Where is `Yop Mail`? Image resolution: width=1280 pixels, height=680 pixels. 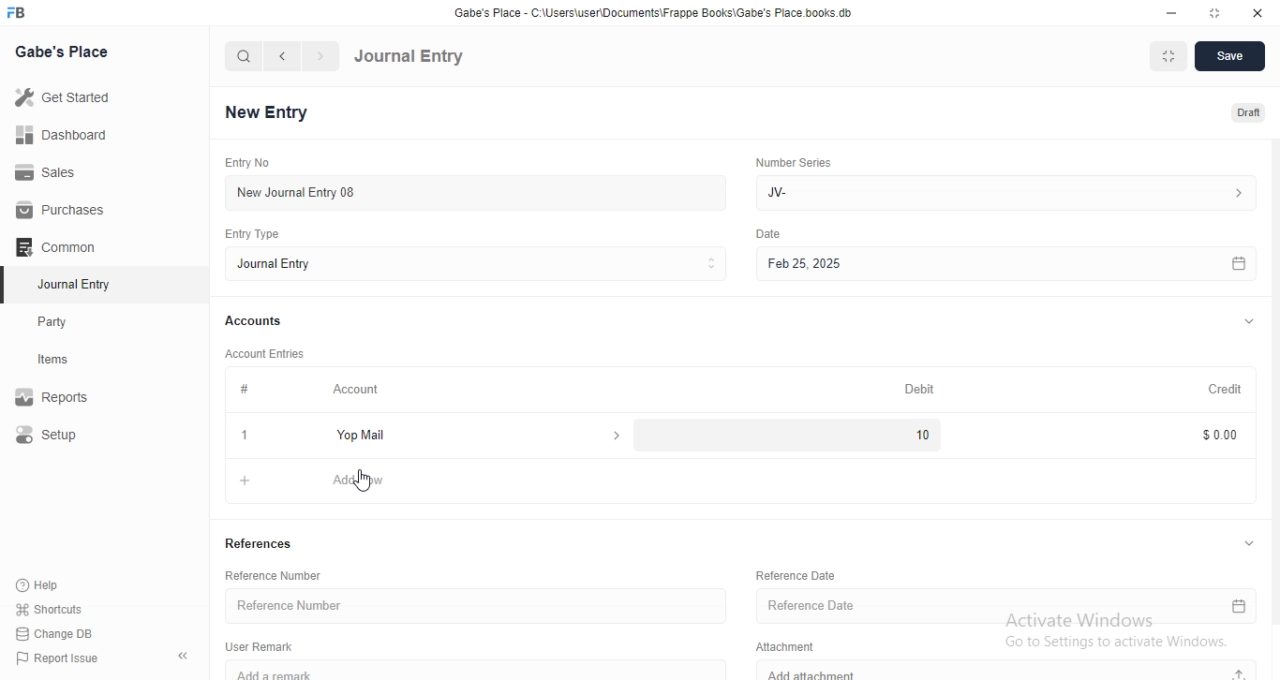 Yop Mail is located at coordinates (473, 435).